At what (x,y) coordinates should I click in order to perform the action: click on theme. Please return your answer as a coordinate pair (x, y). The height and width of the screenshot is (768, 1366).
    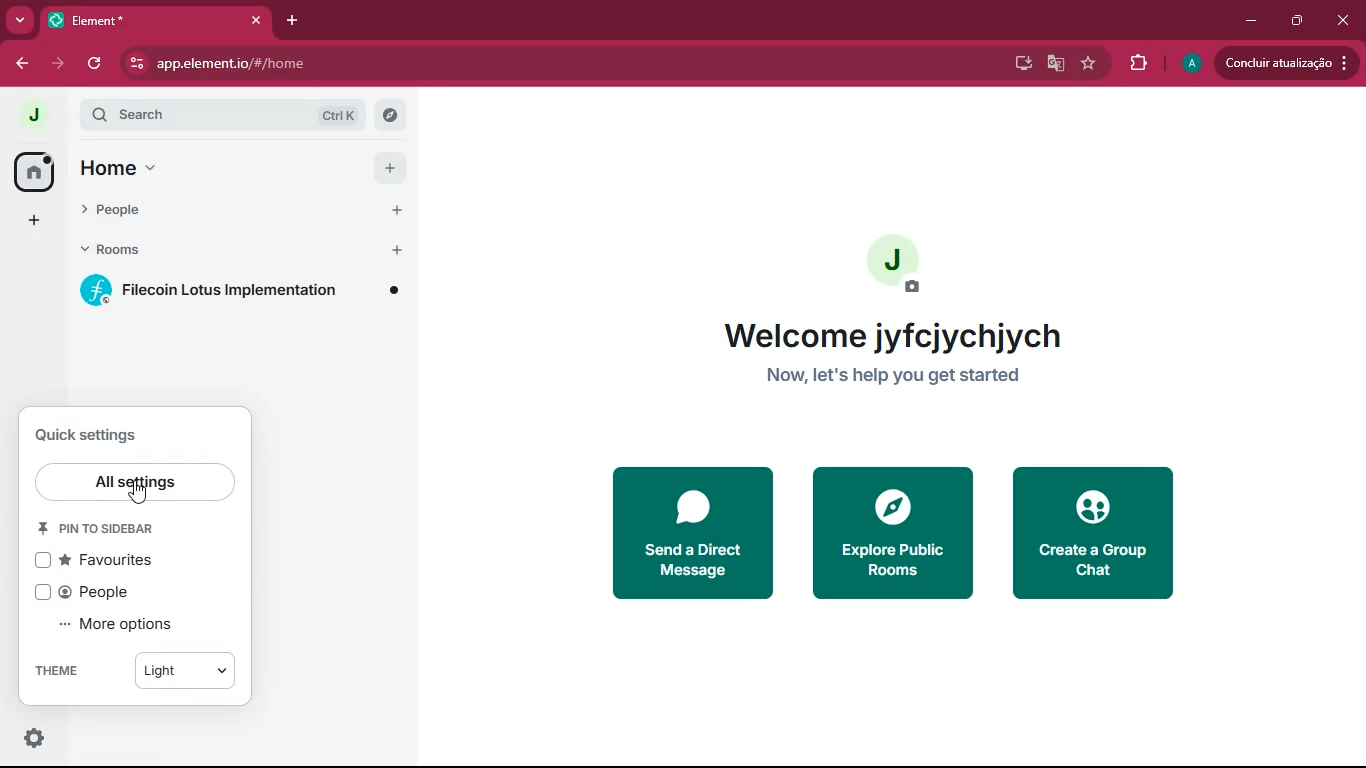
    Looking at the image, I should click on (67, 670).